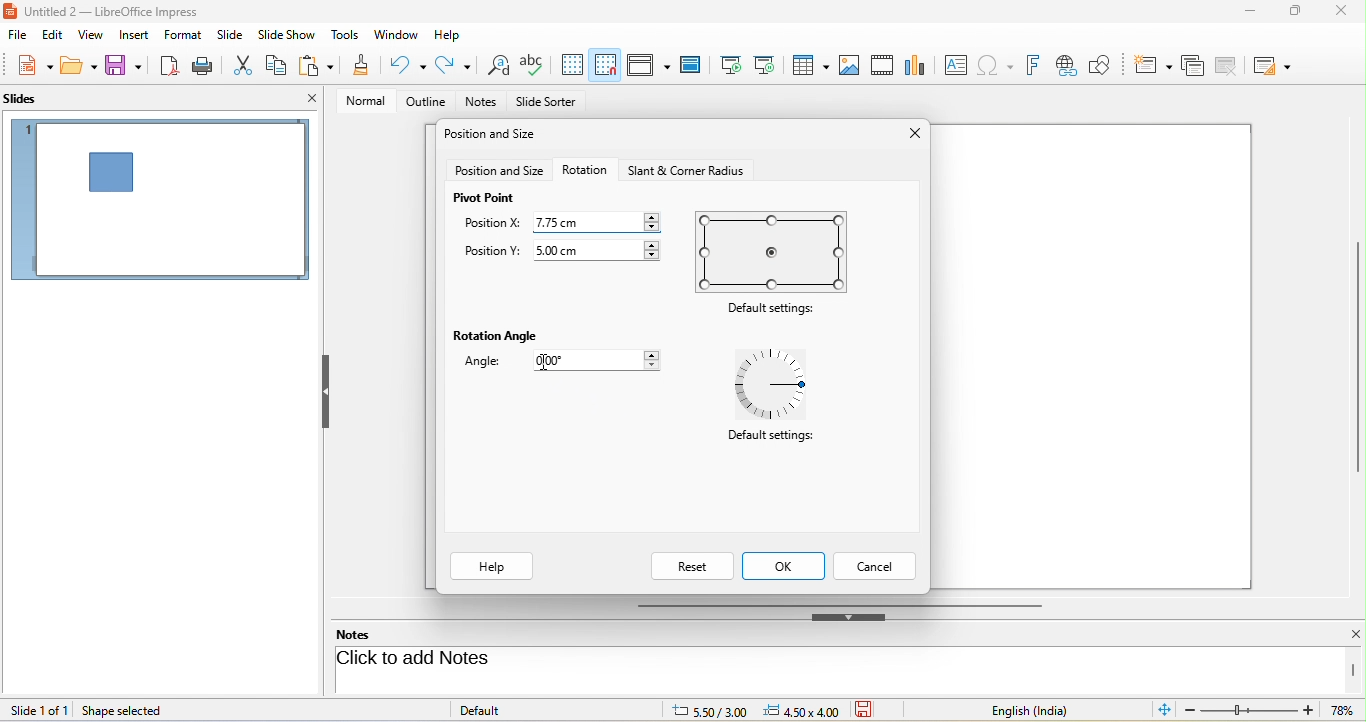  I want to click on print, so click(206, 65).